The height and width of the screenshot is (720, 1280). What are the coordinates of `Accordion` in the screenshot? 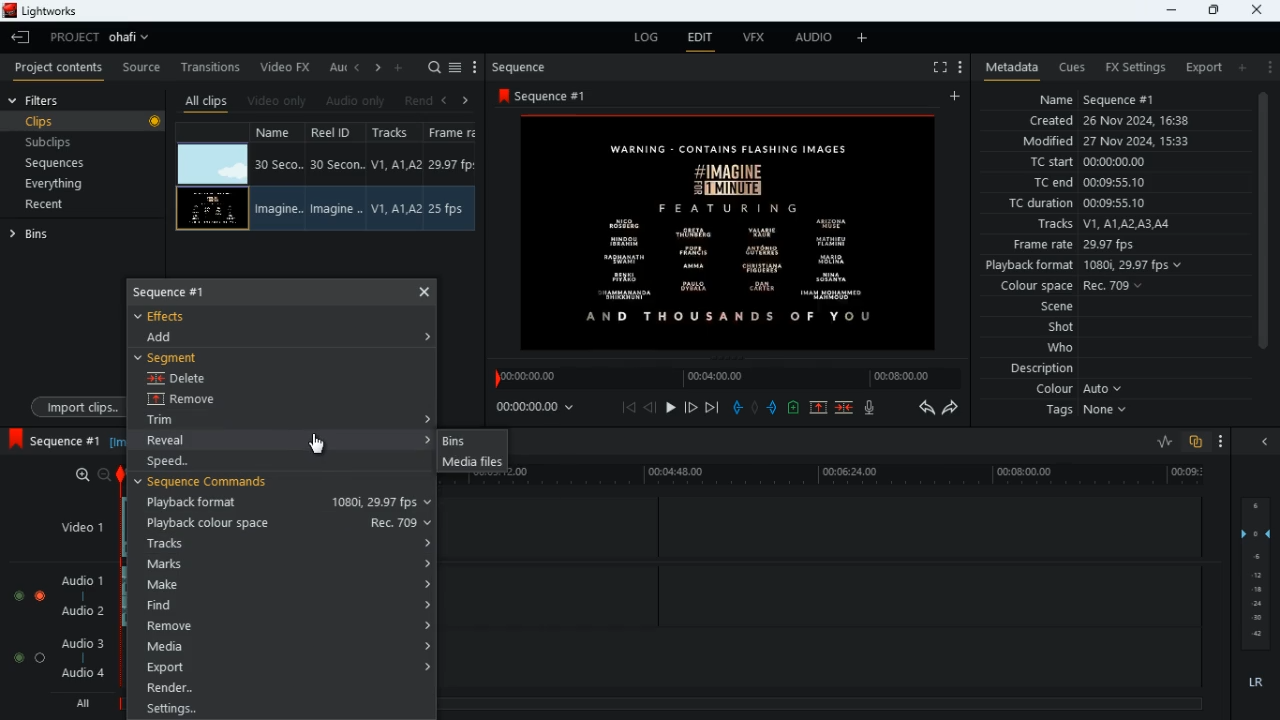 It's located at (426, 440).